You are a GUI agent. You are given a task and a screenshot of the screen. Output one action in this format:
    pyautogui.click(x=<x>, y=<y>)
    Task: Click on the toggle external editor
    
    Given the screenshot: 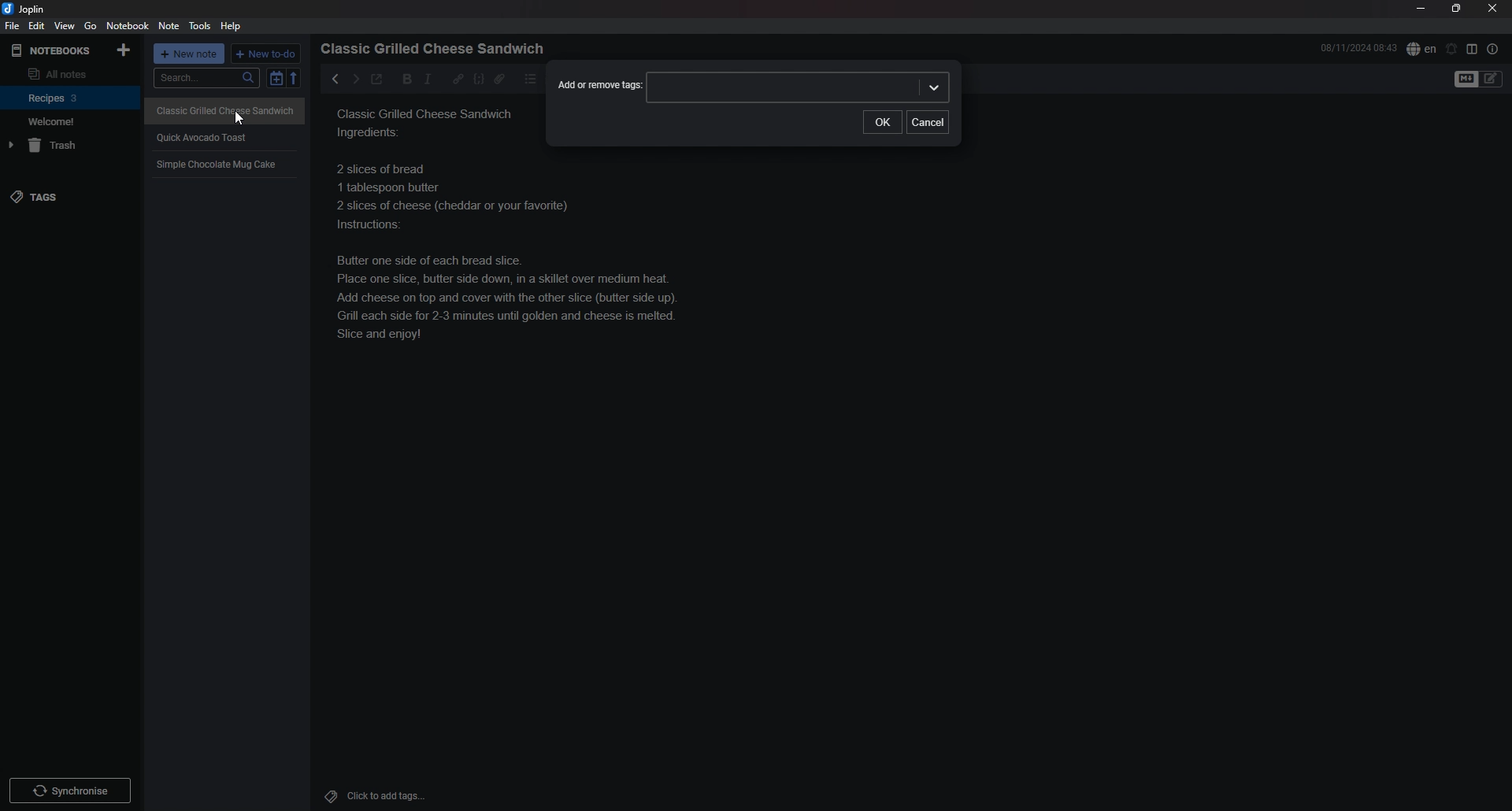 What is the action you would take?
    pyautogui.click(x=376, y=81)
    